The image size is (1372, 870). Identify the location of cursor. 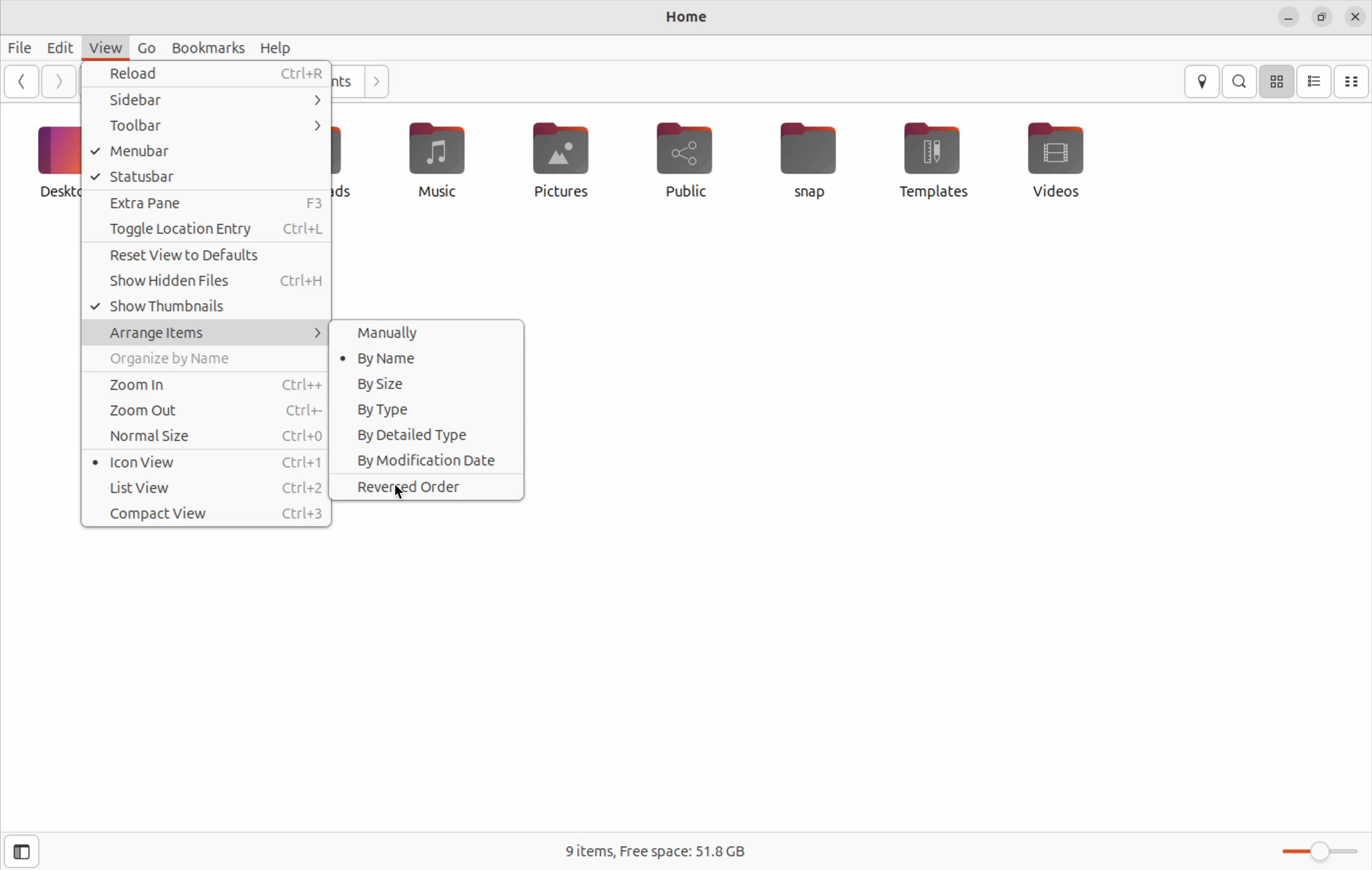
(399, 495).